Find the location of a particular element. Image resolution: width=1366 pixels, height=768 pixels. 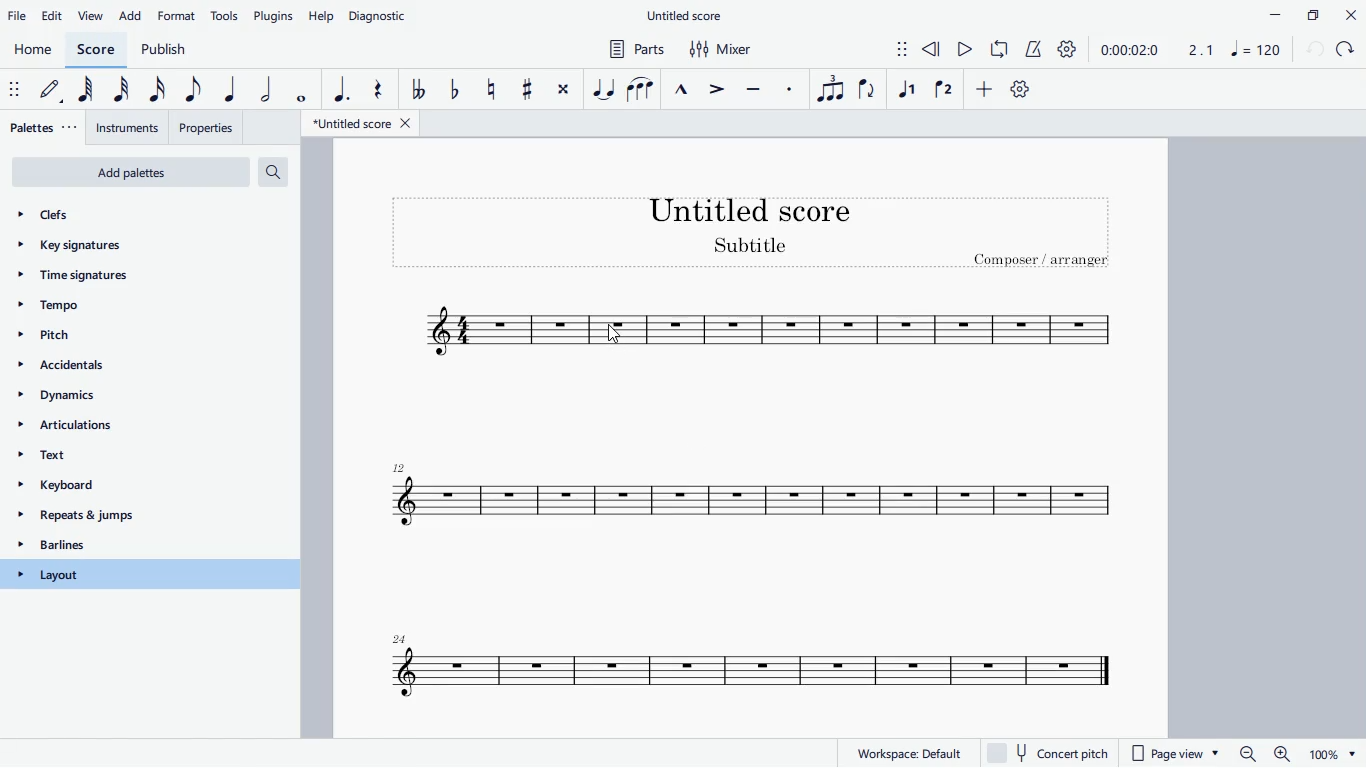

64th note is located at coordinates (91, 92).